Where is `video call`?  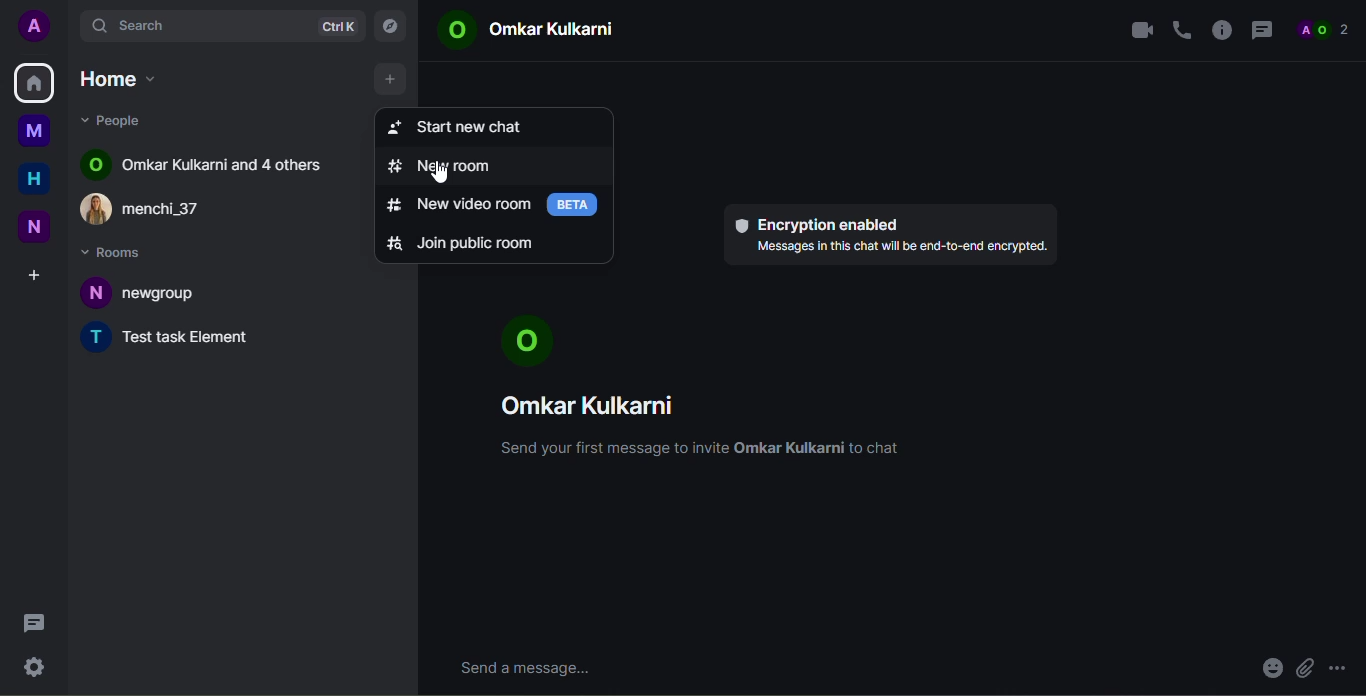 video call is located at coordinates (1137, 28).